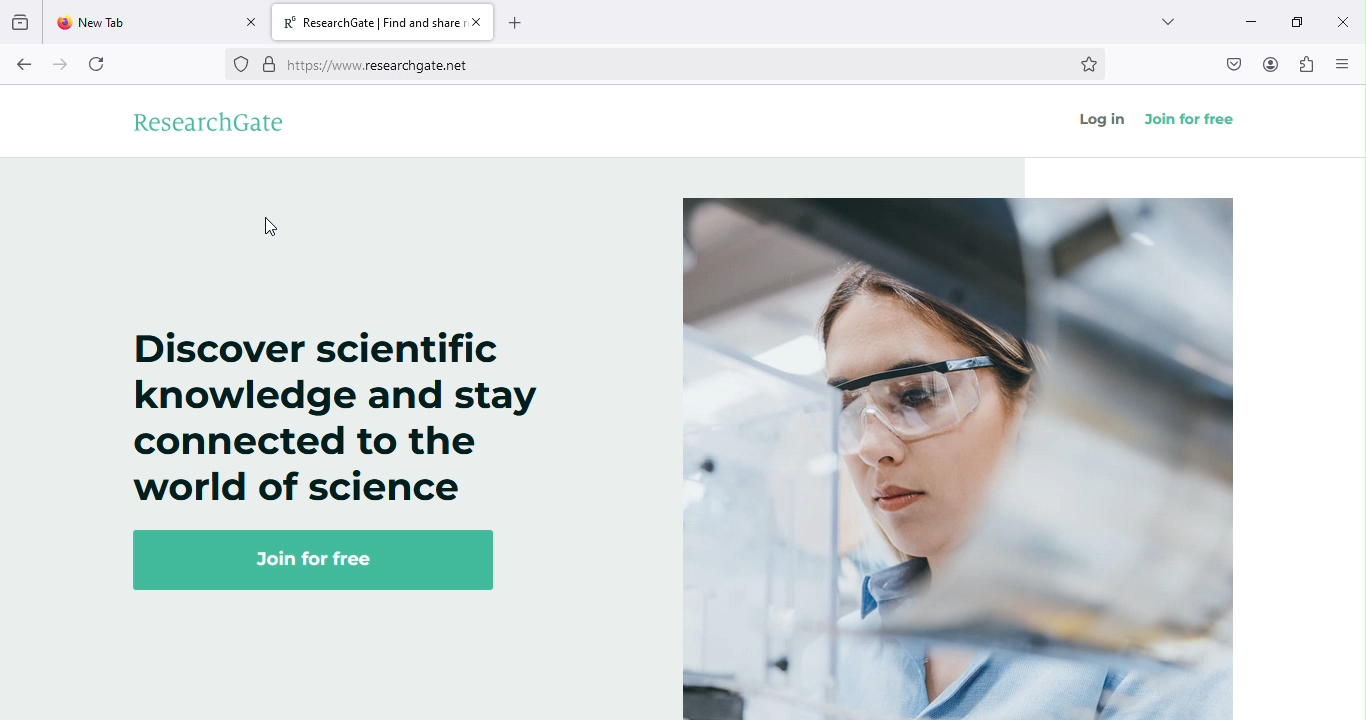  What do you see at coordinates (1232, 65) in the screenshot?
I see `save to pocket` at bounding box center [1232, 65].